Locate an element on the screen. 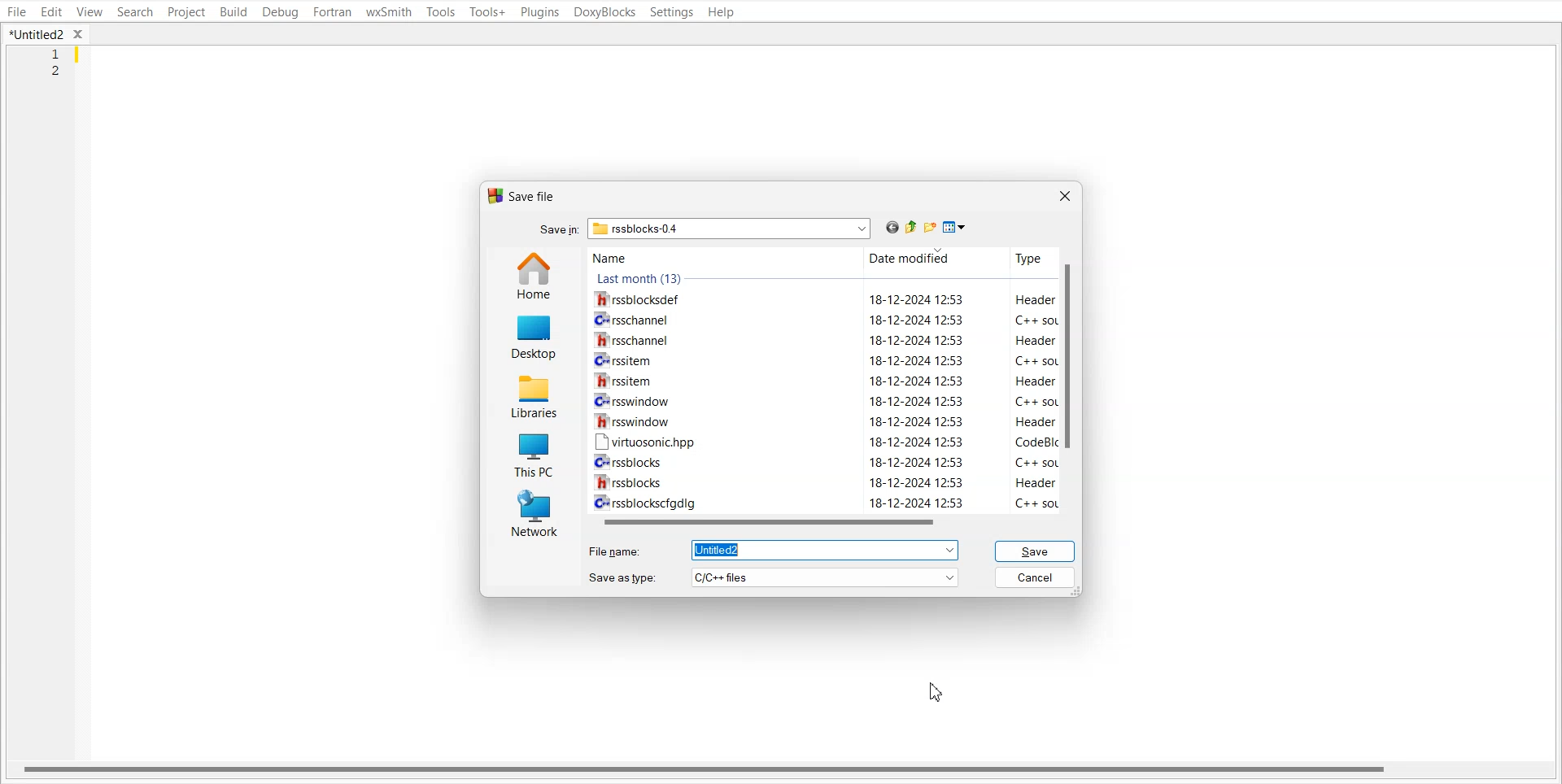  Tools is located at coordinates (440, 11).